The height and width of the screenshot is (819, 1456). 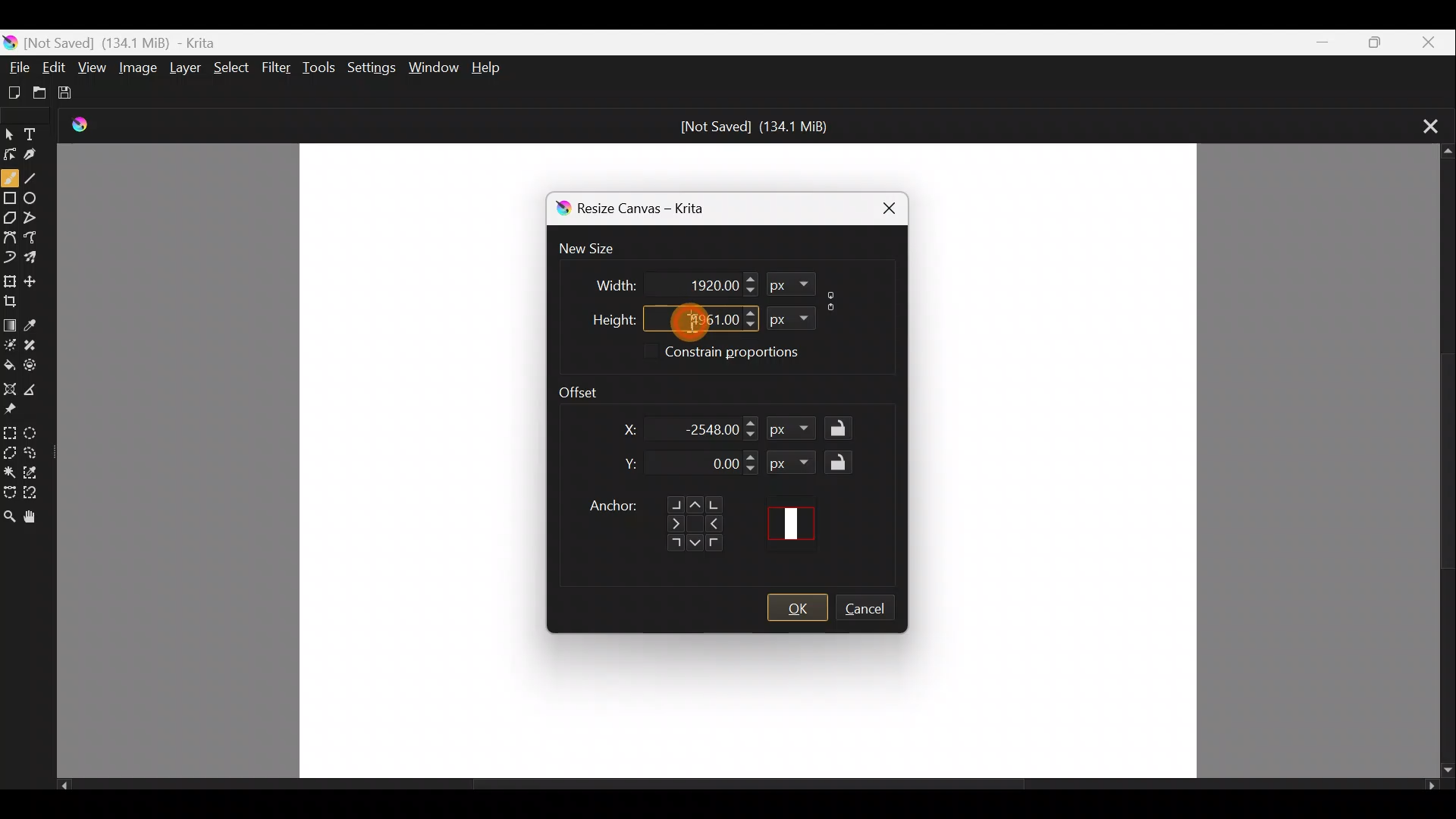 What do you see at coordinates (1370, 41) in the screenshot?
I see `Maximize` at bounding box center [1370, 41].